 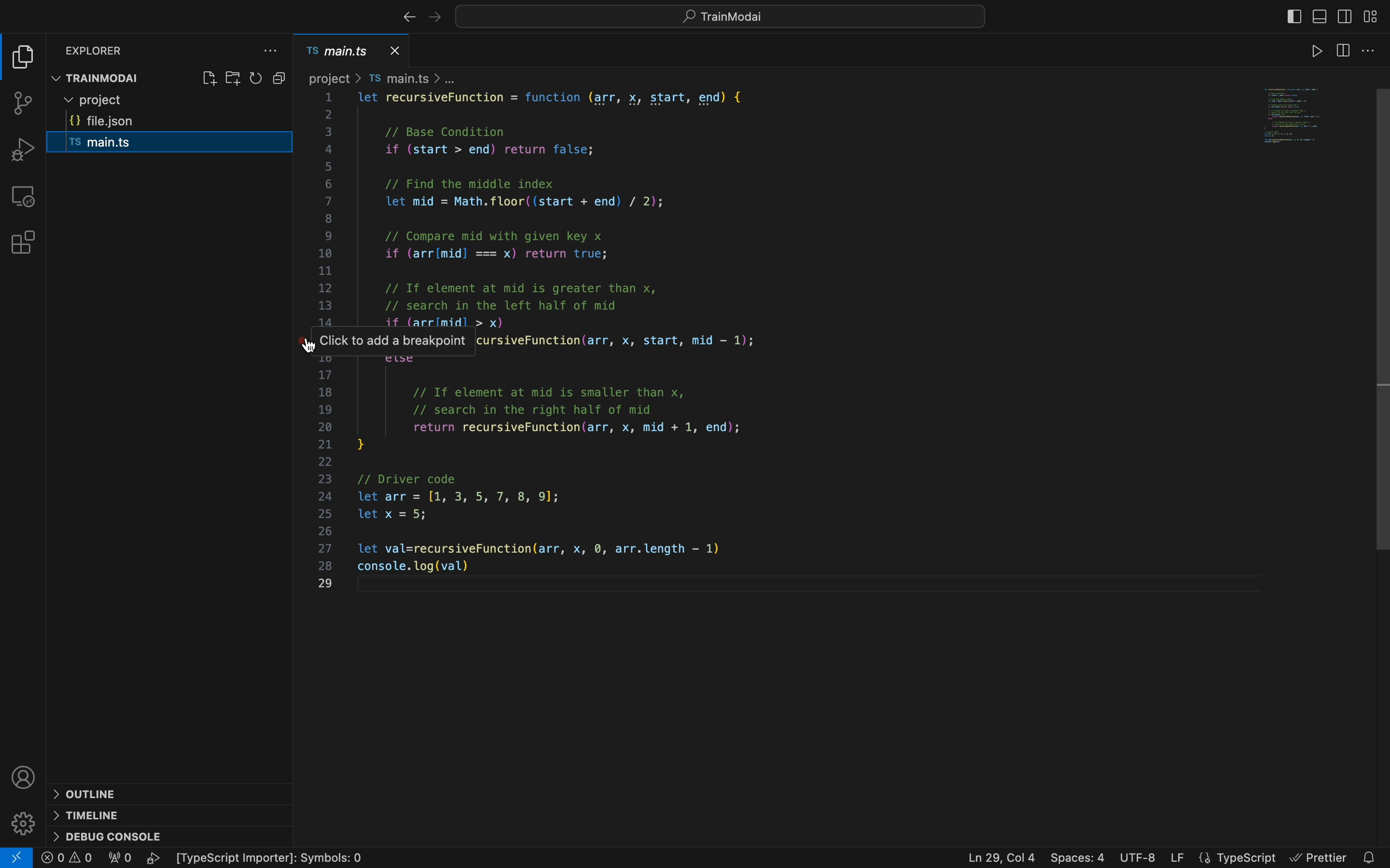 What do you see at coordinates (25, 243) in the screenshot?
I see `Extensions` at bounding box center [25, 243].